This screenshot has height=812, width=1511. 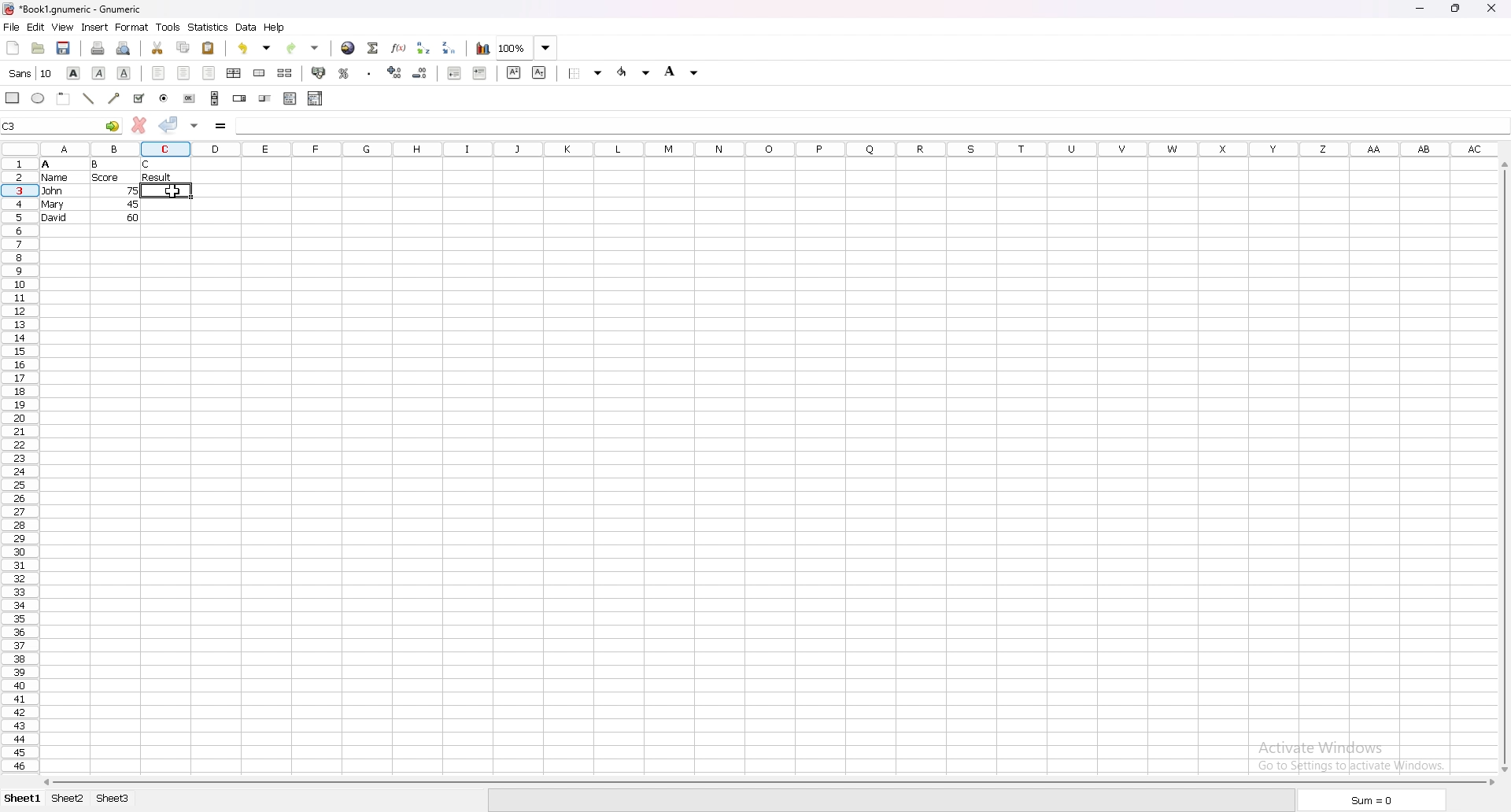 What do you see at coordinates (196, 126) in the screenshot?
I see `accept change in multiple cells` at bounding box center [196, 126].